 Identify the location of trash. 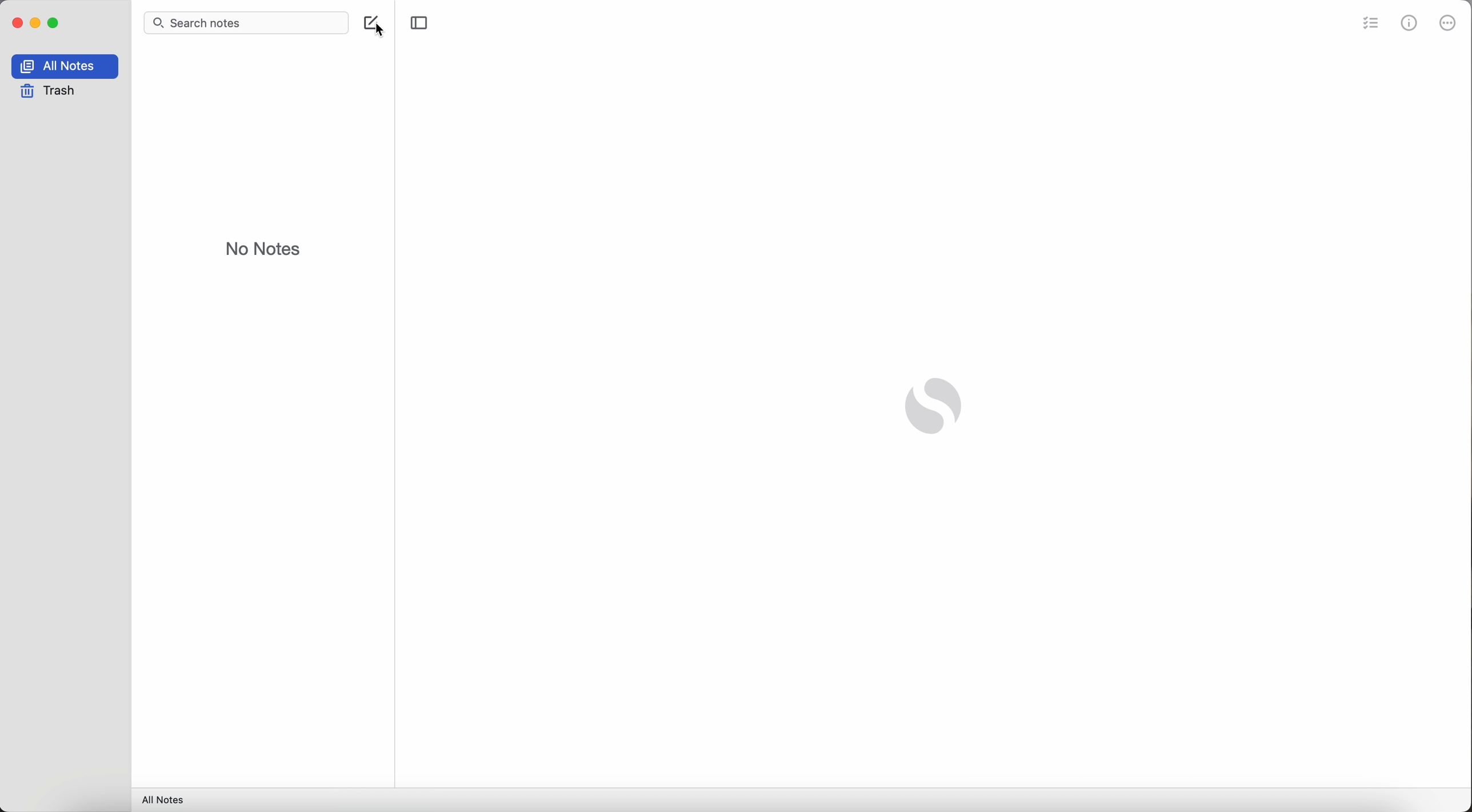
(48, 92).